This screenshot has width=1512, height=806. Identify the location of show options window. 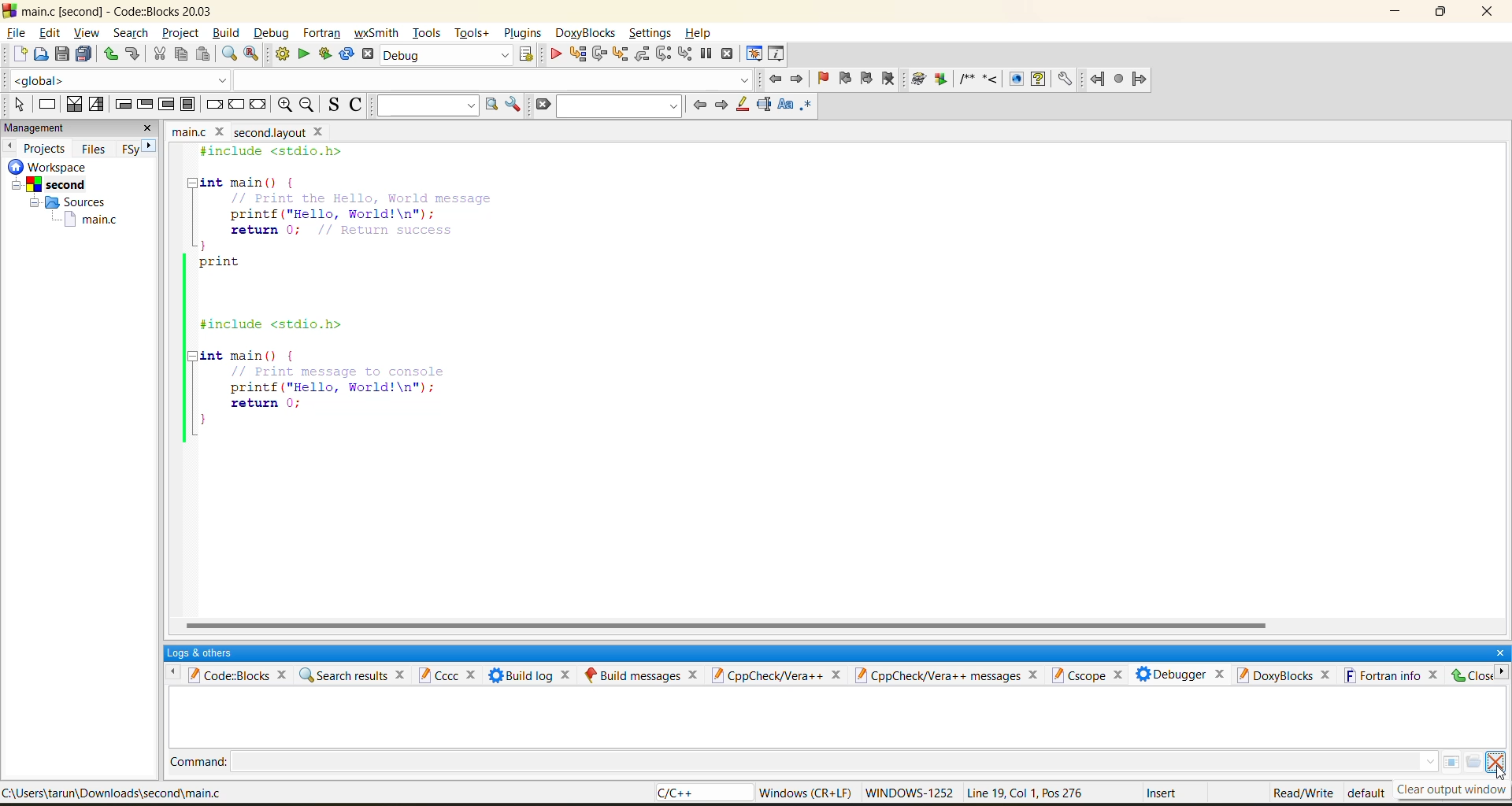
(513, 104).